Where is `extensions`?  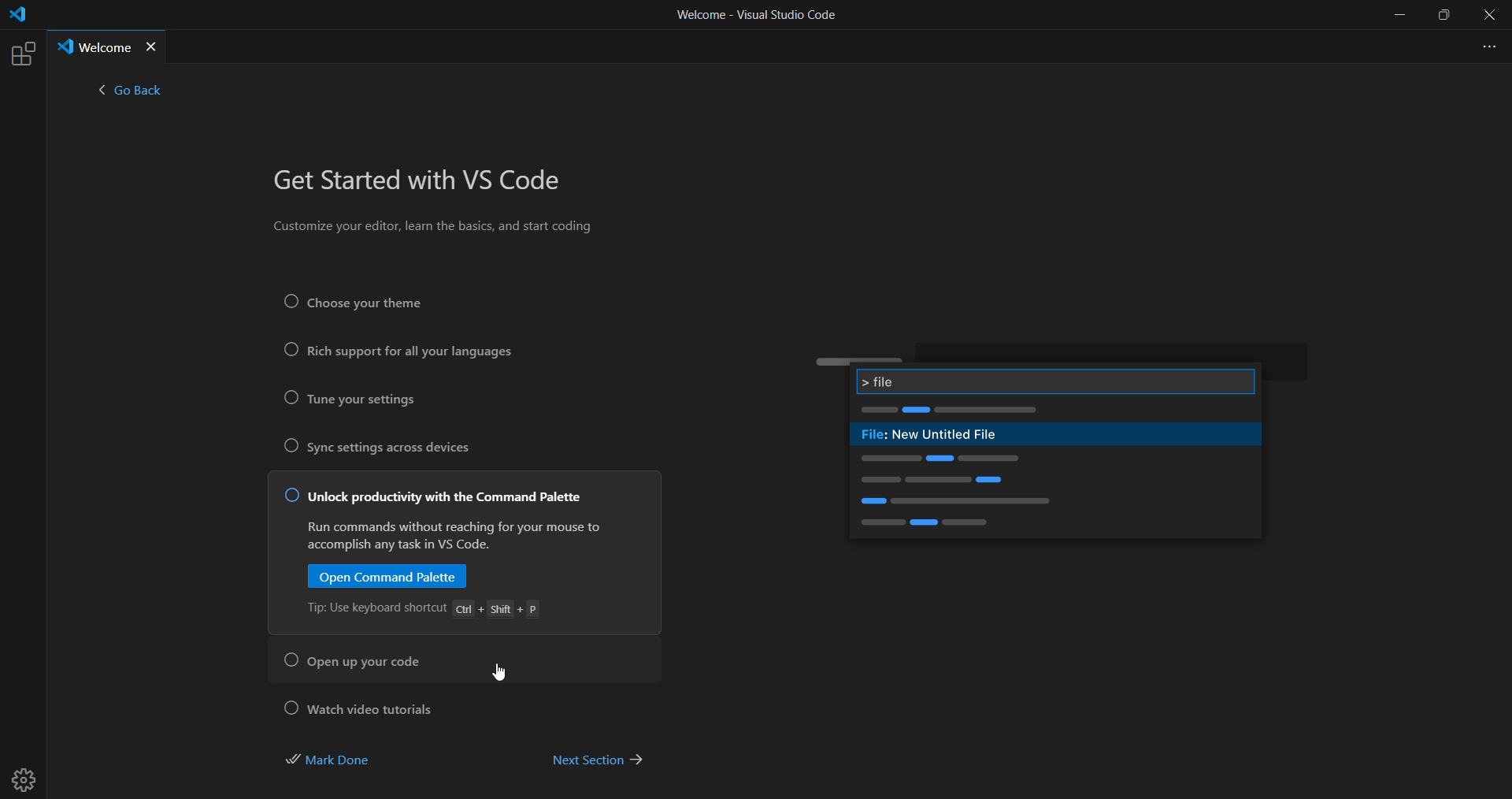
extensions is located at coordinates (21, 54).